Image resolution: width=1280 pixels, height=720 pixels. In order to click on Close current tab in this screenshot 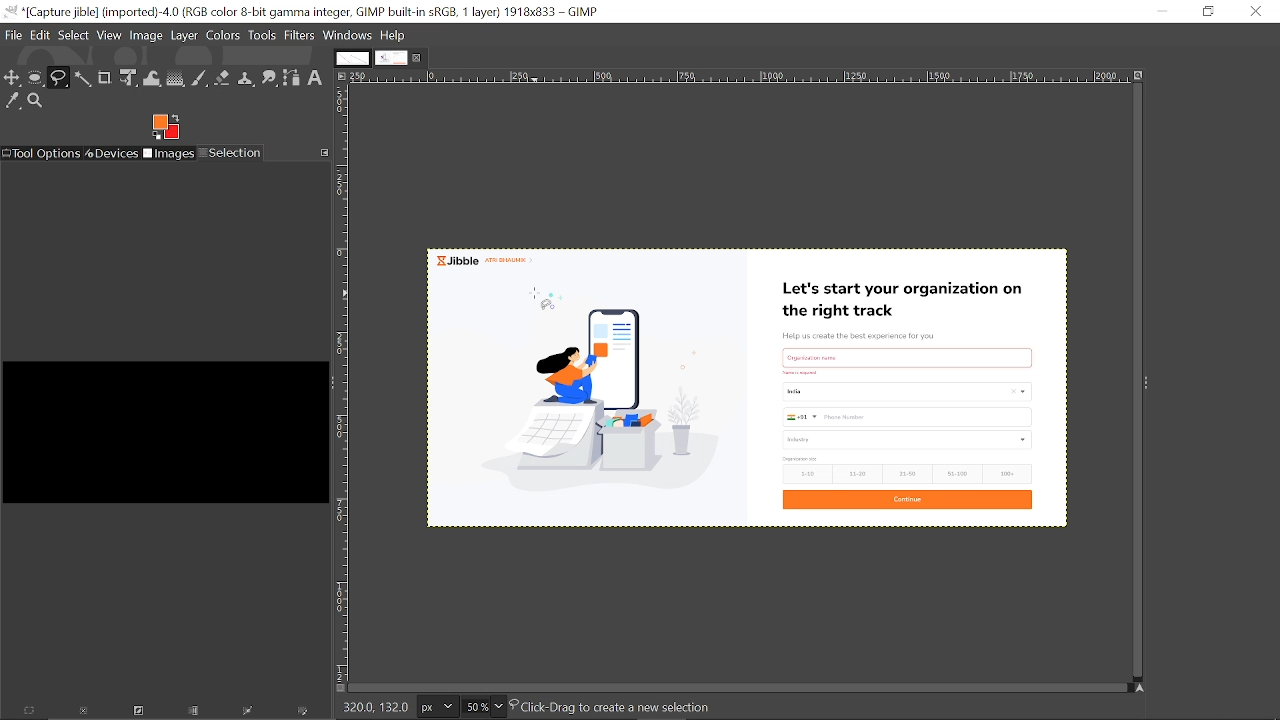, I will do `click(419, 61)`.